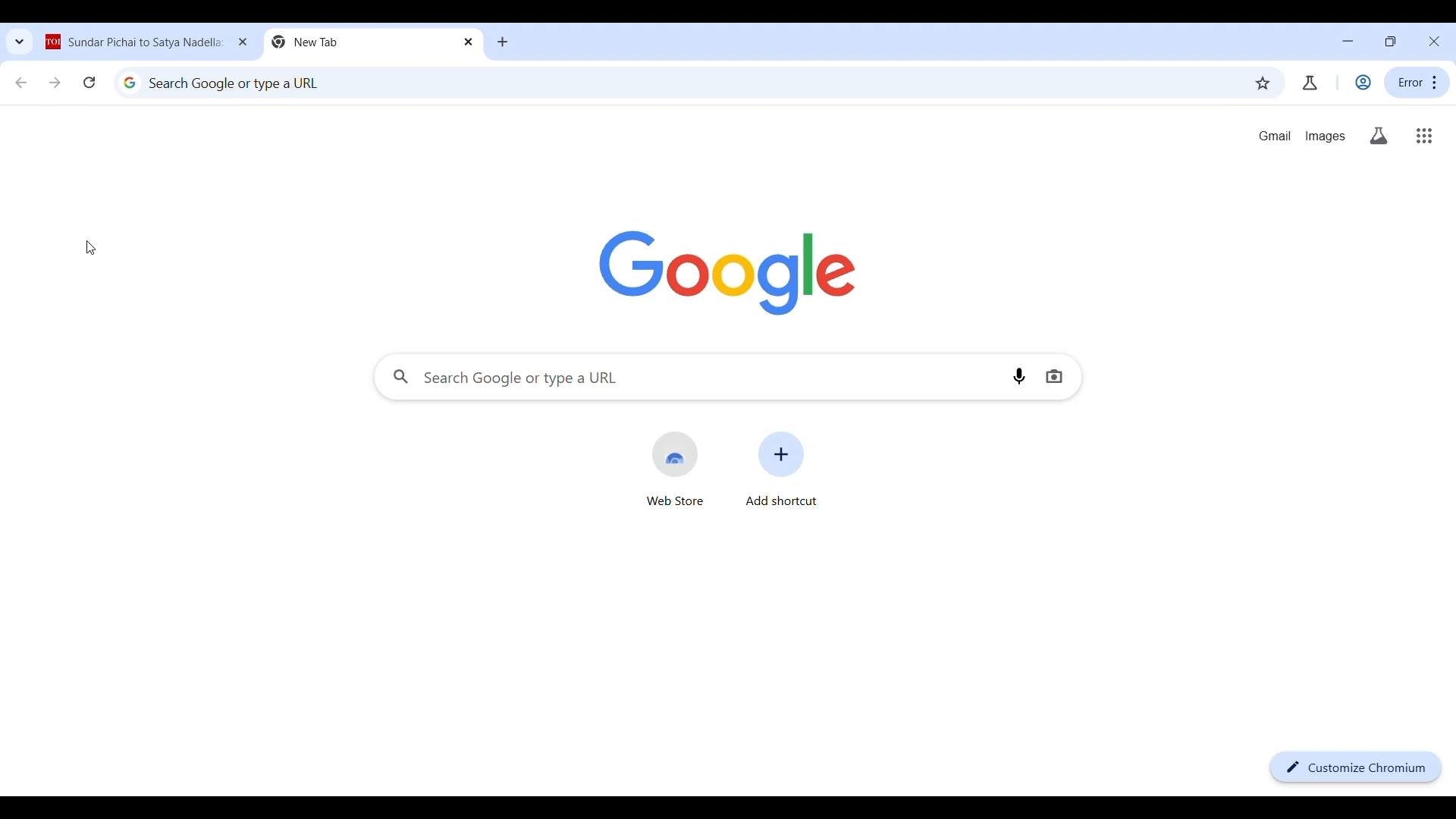  I want to click on Google logo, so click(726, 274).